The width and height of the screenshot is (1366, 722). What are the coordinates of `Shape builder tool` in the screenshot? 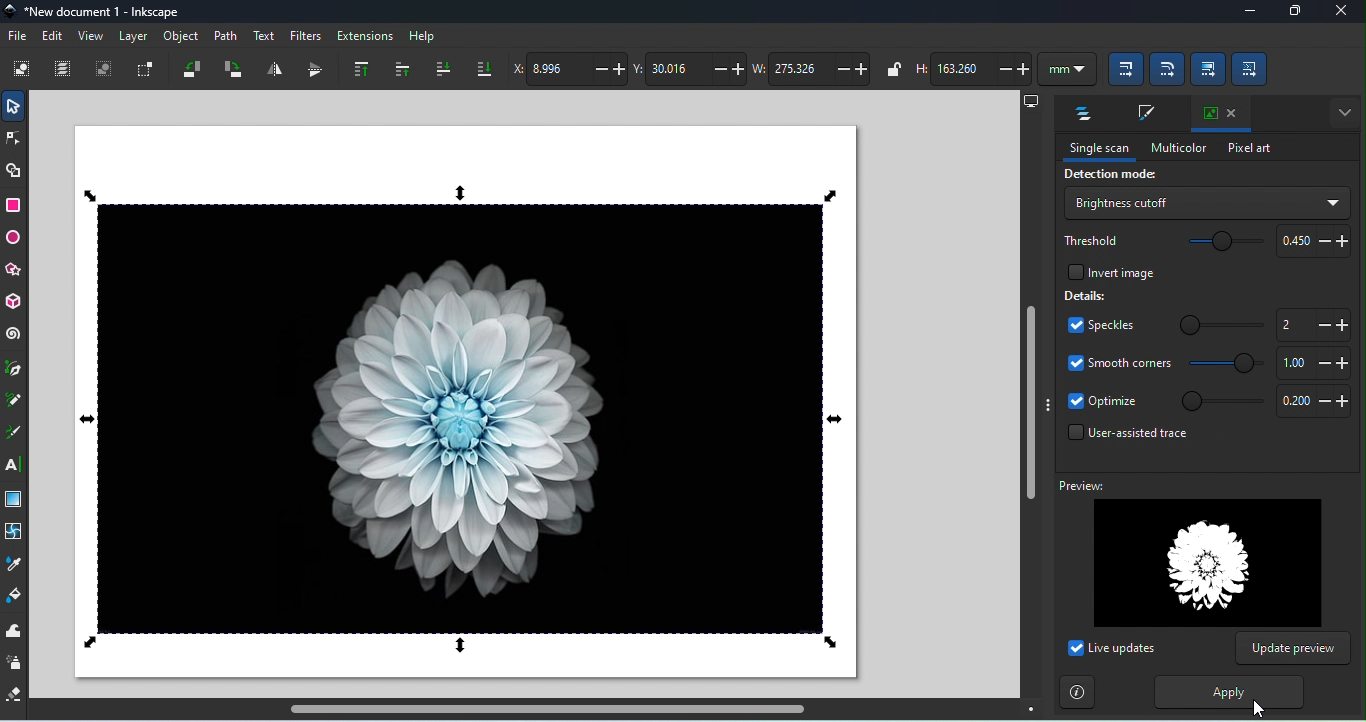 It's located at (13, 172).